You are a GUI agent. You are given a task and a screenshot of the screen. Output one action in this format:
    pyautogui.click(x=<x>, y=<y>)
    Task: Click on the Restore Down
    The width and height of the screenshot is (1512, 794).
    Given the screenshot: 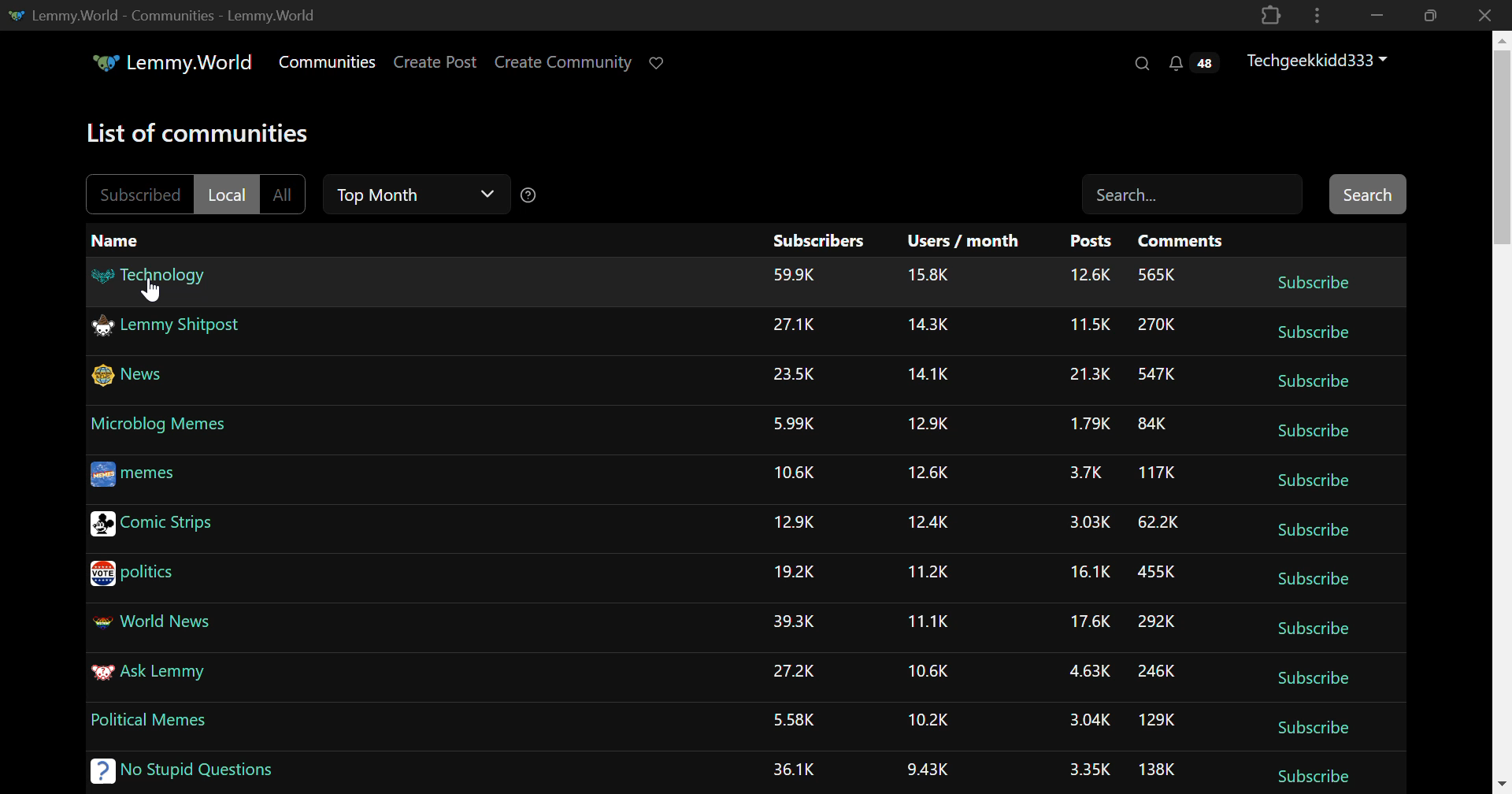 What is the action you would take?
    pyautogui.click(x=1377, y=15)
    